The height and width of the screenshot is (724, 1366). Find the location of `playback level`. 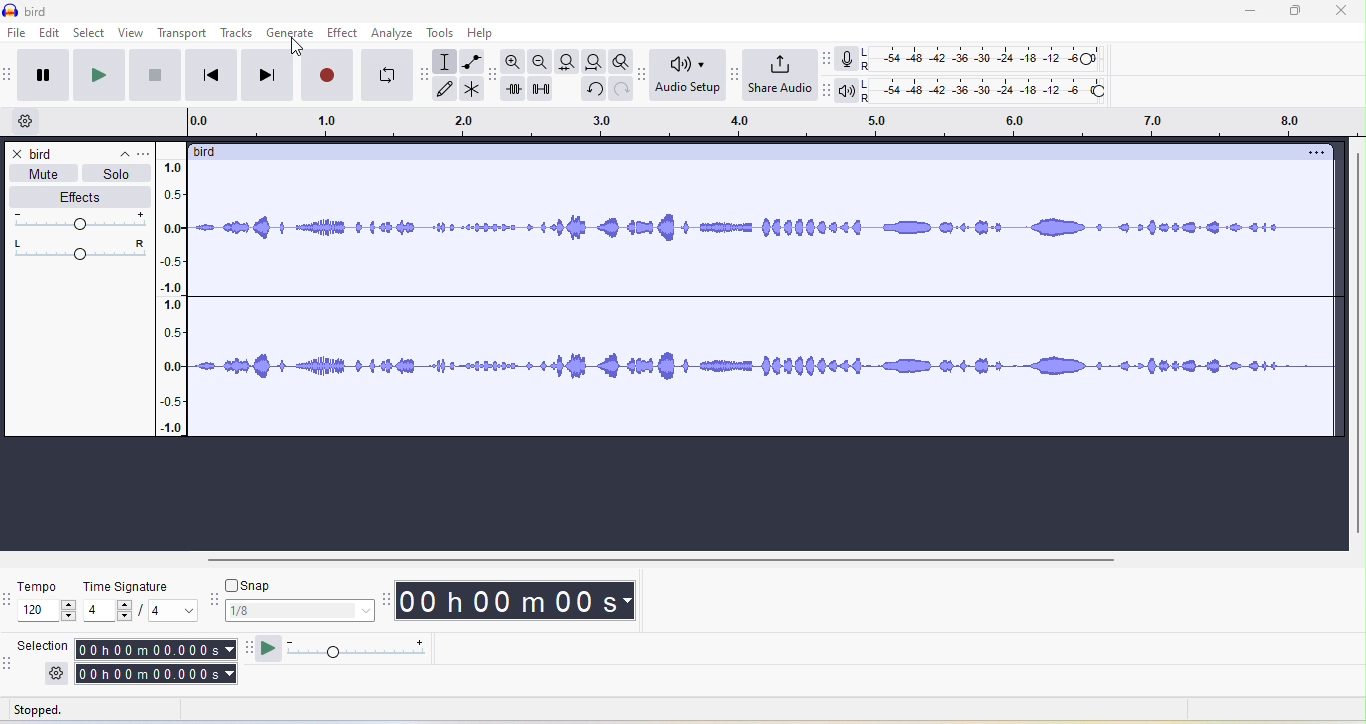

playback level is located at coordinates (991, 92).